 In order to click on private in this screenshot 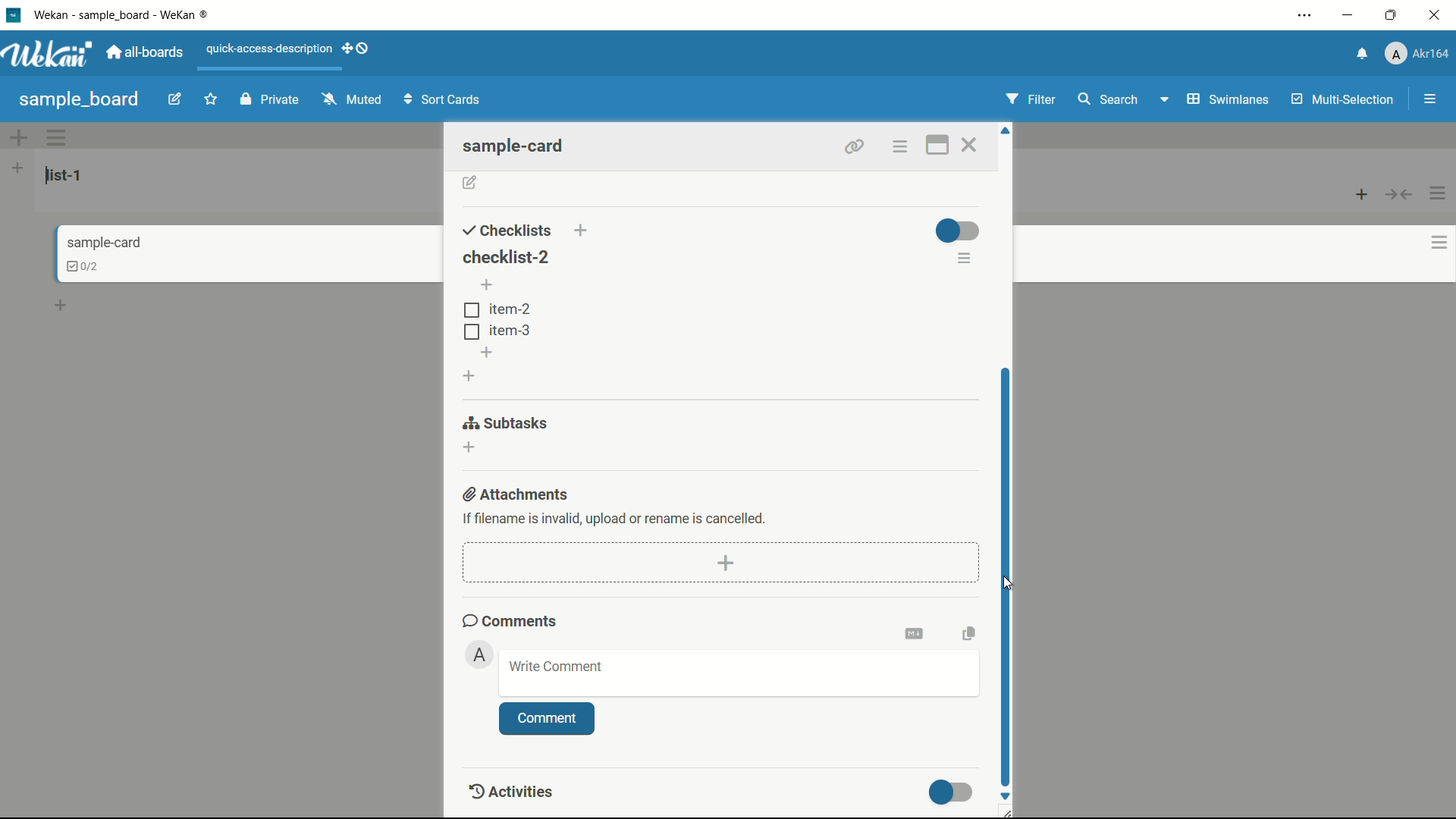, I will do `click(269, 100)`.